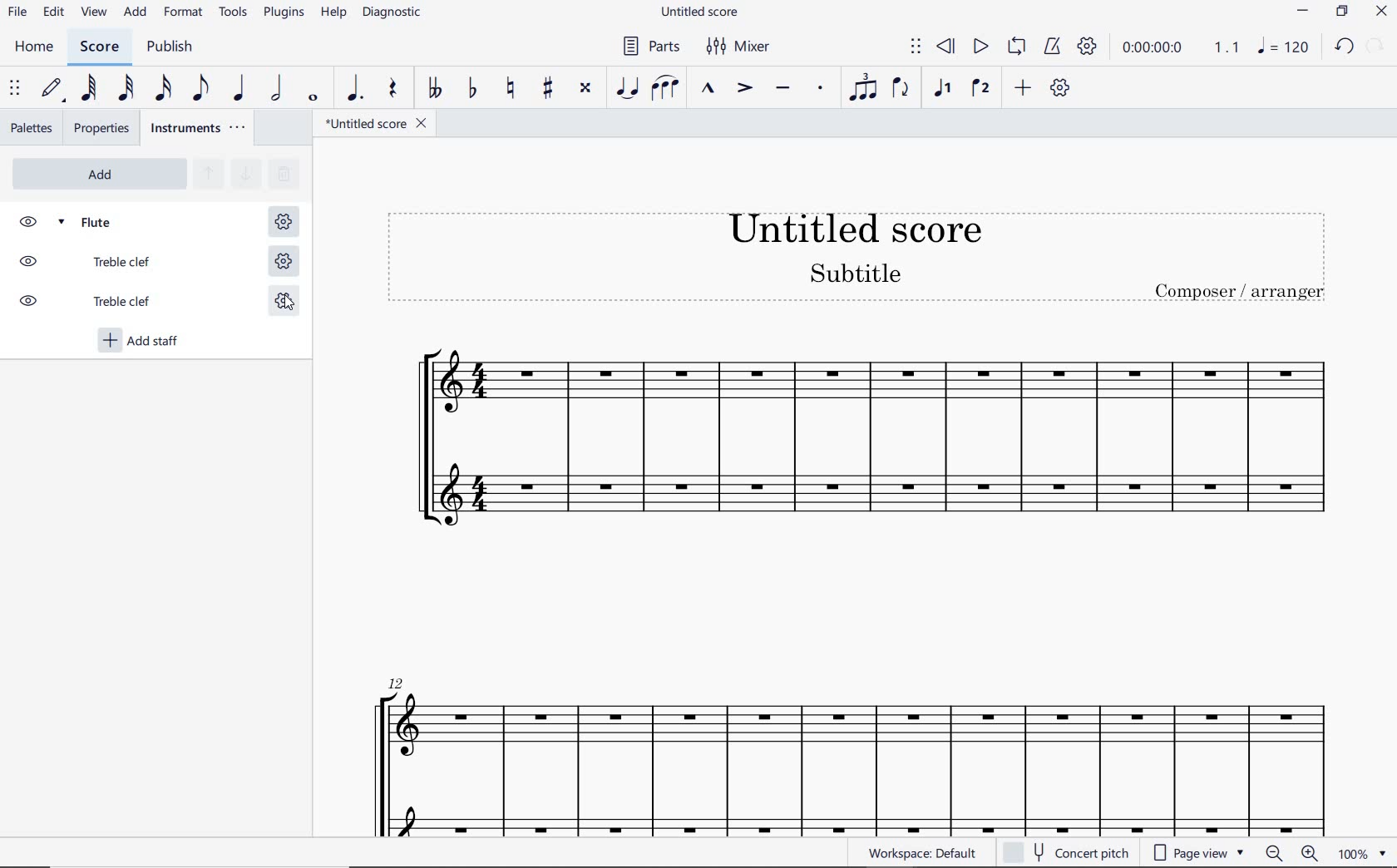 The image size is (1397, 868). I want to click on TOGGLE NATURAL, so click(510, 89).